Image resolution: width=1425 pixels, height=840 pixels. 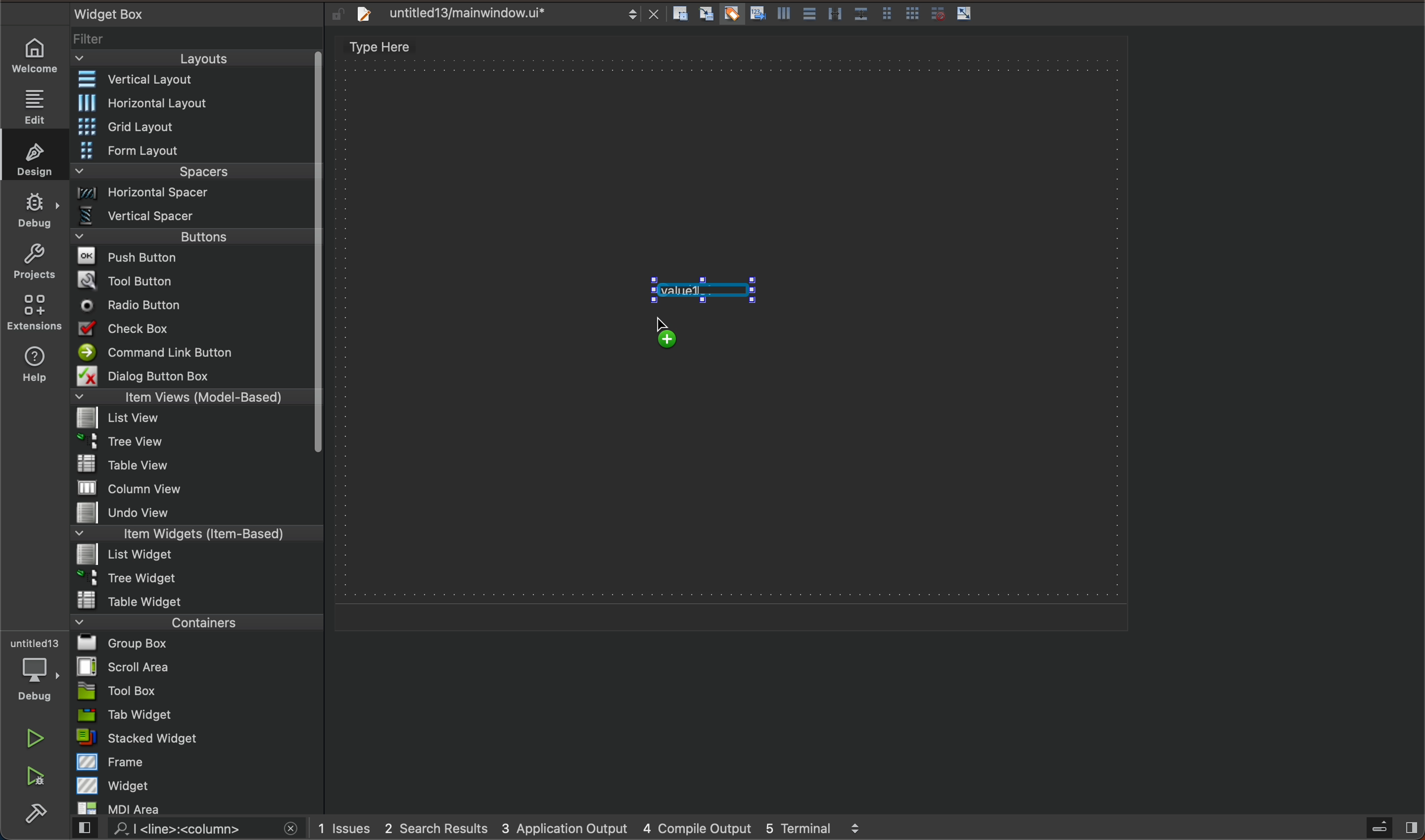 What do you see at coordinates (860, 15) in the screenshot?
I see `` at bounding box center [860, 15].